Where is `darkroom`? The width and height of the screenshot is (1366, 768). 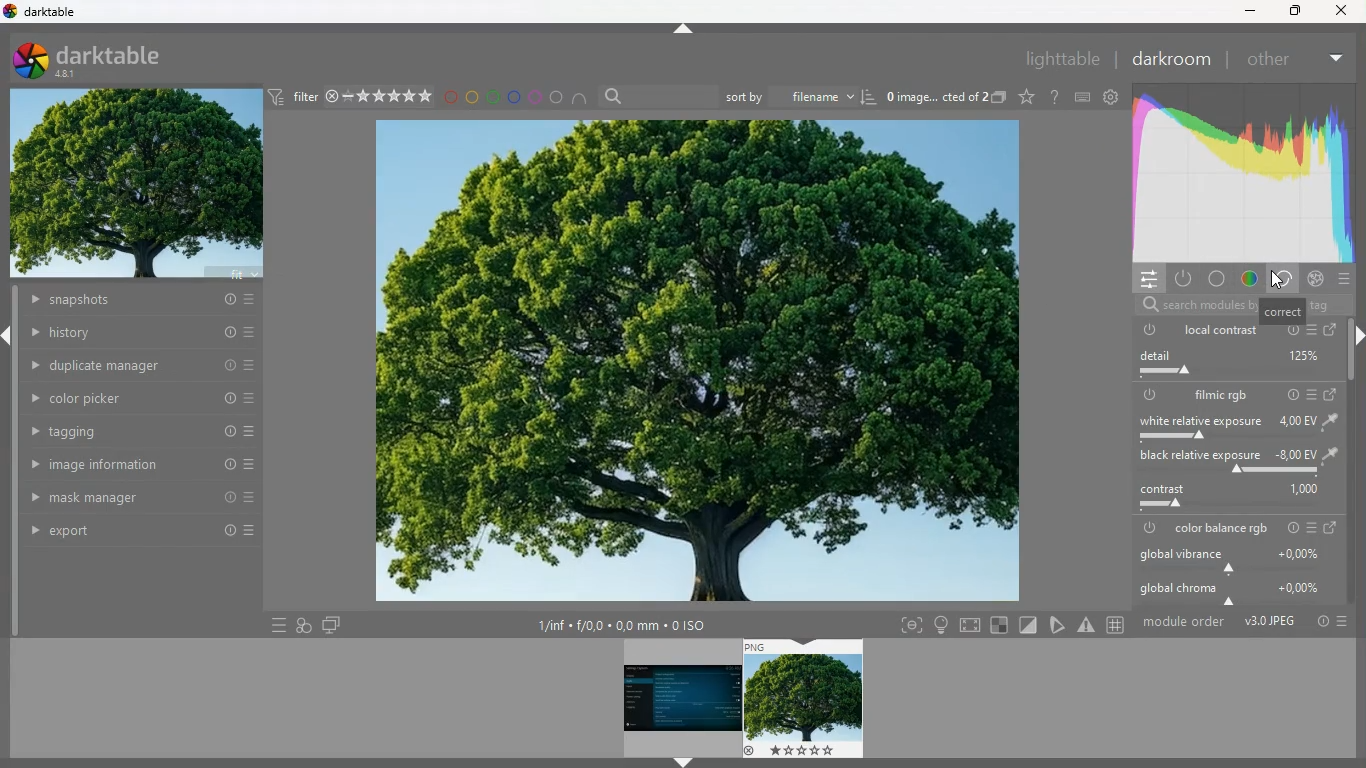
darkroom is located at coordinates (1170, 59).